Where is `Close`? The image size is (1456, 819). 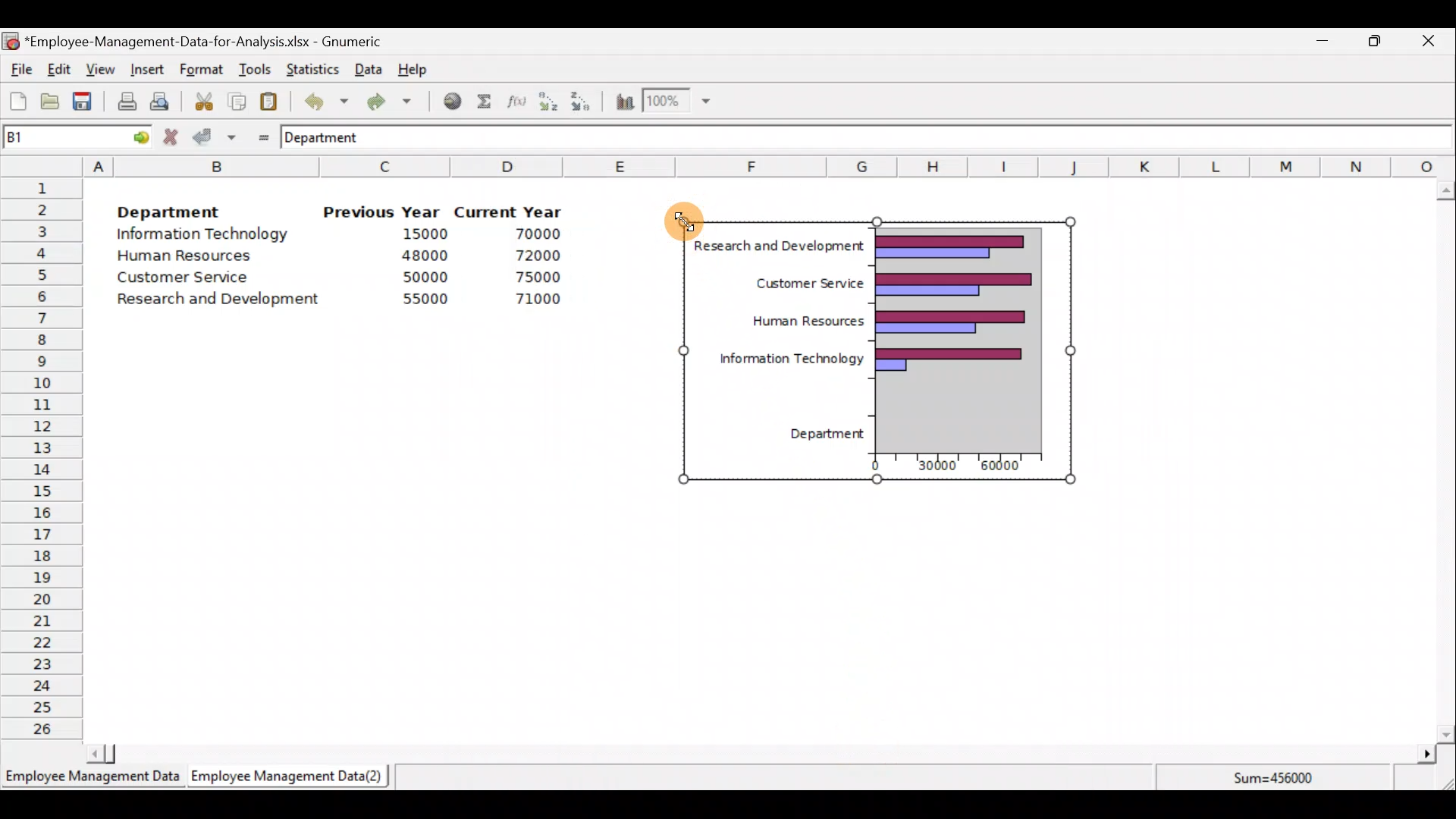 Close is located at coordinates (1427, 43).